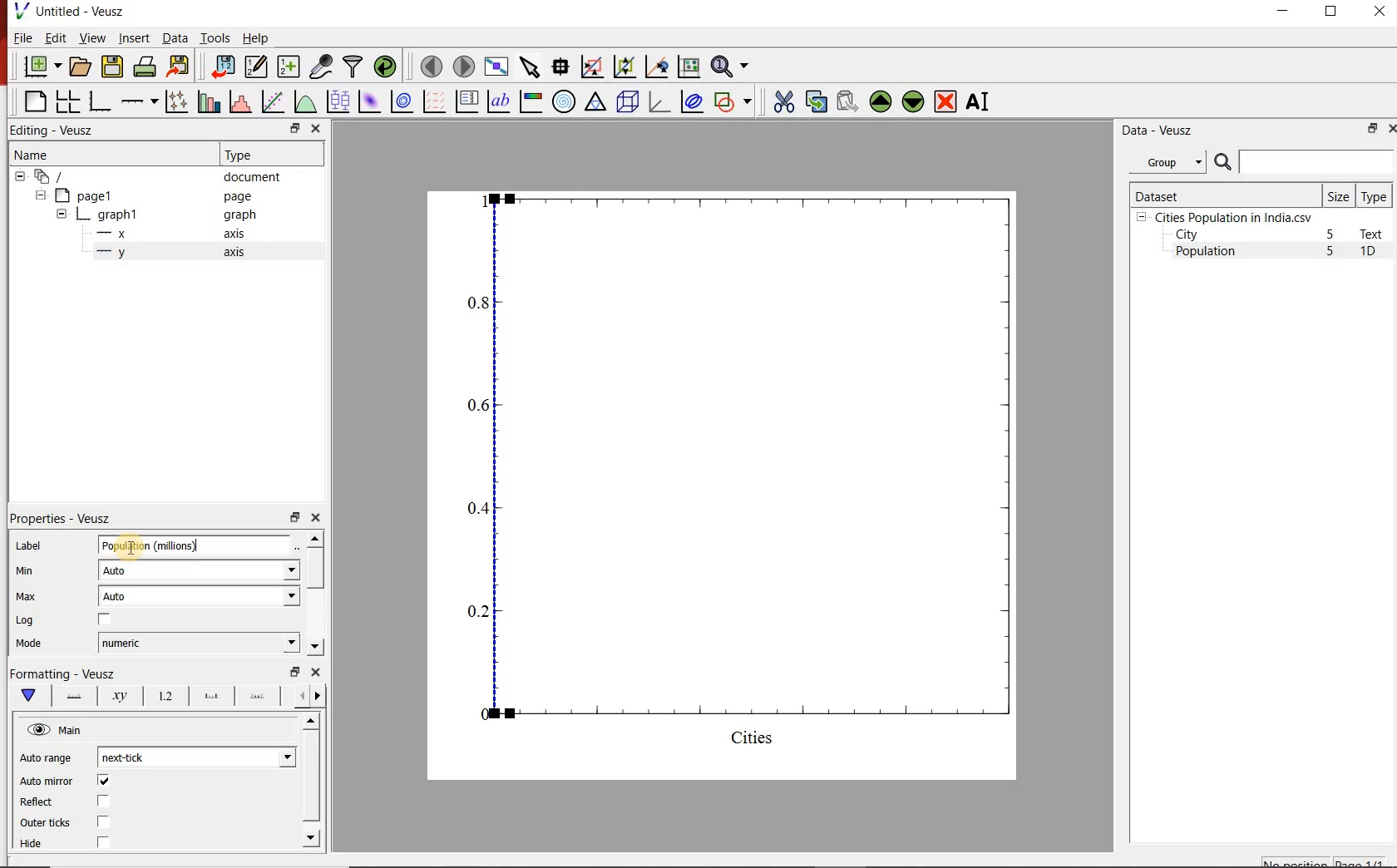 This screenshot has height=868, width=1397. What do you see at coordinates (318, 128) in the screenshot?
I see `close` at bounding box center [318, 128].